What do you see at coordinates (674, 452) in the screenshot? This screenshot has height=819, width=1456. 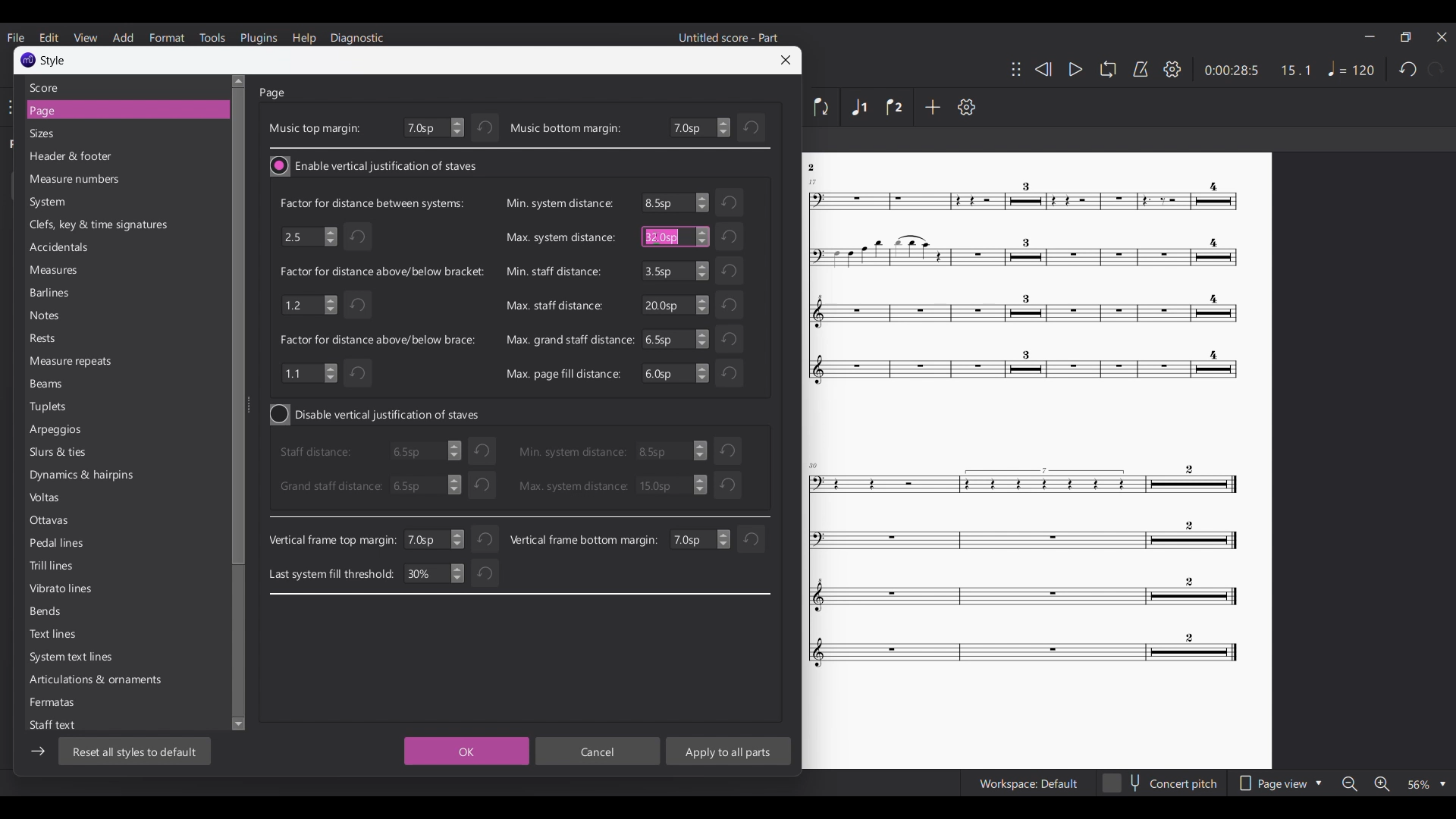 I see `3.5 sp` at bounding box center [674, 452].